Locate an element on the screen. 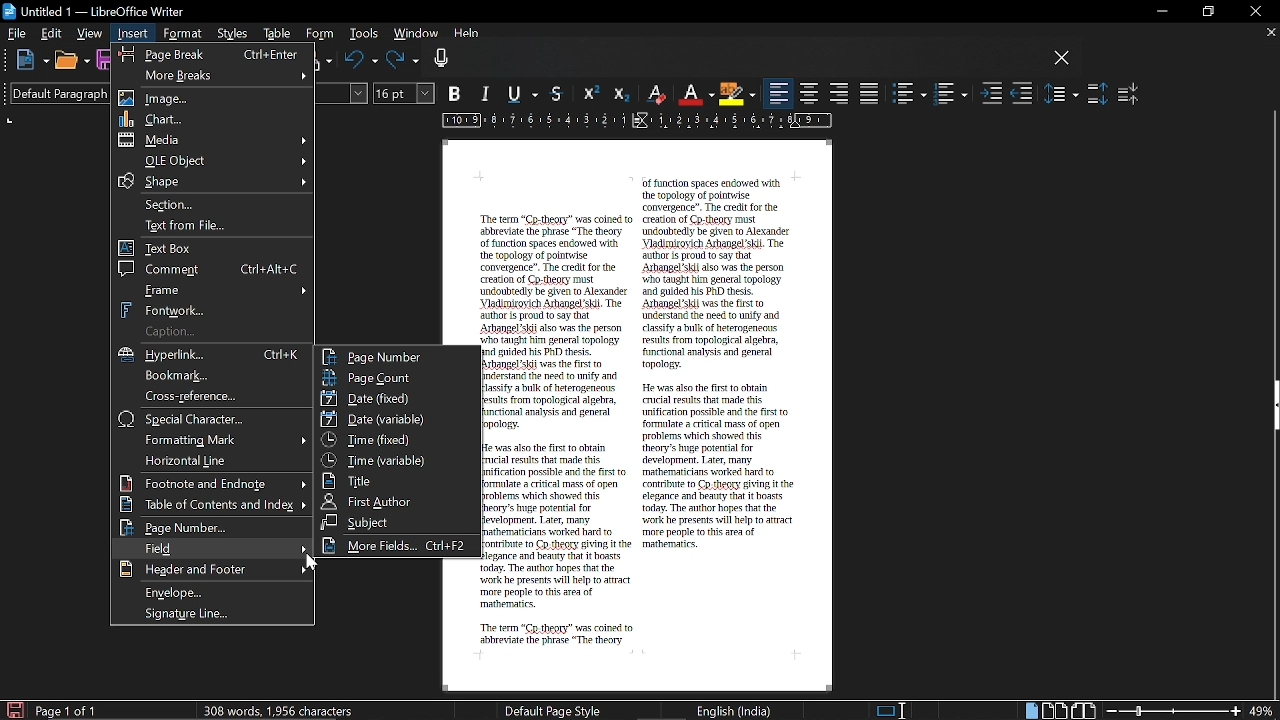 This screenshot has height=720, width=1280. Horizontal line is located at coordinates (210, 460).